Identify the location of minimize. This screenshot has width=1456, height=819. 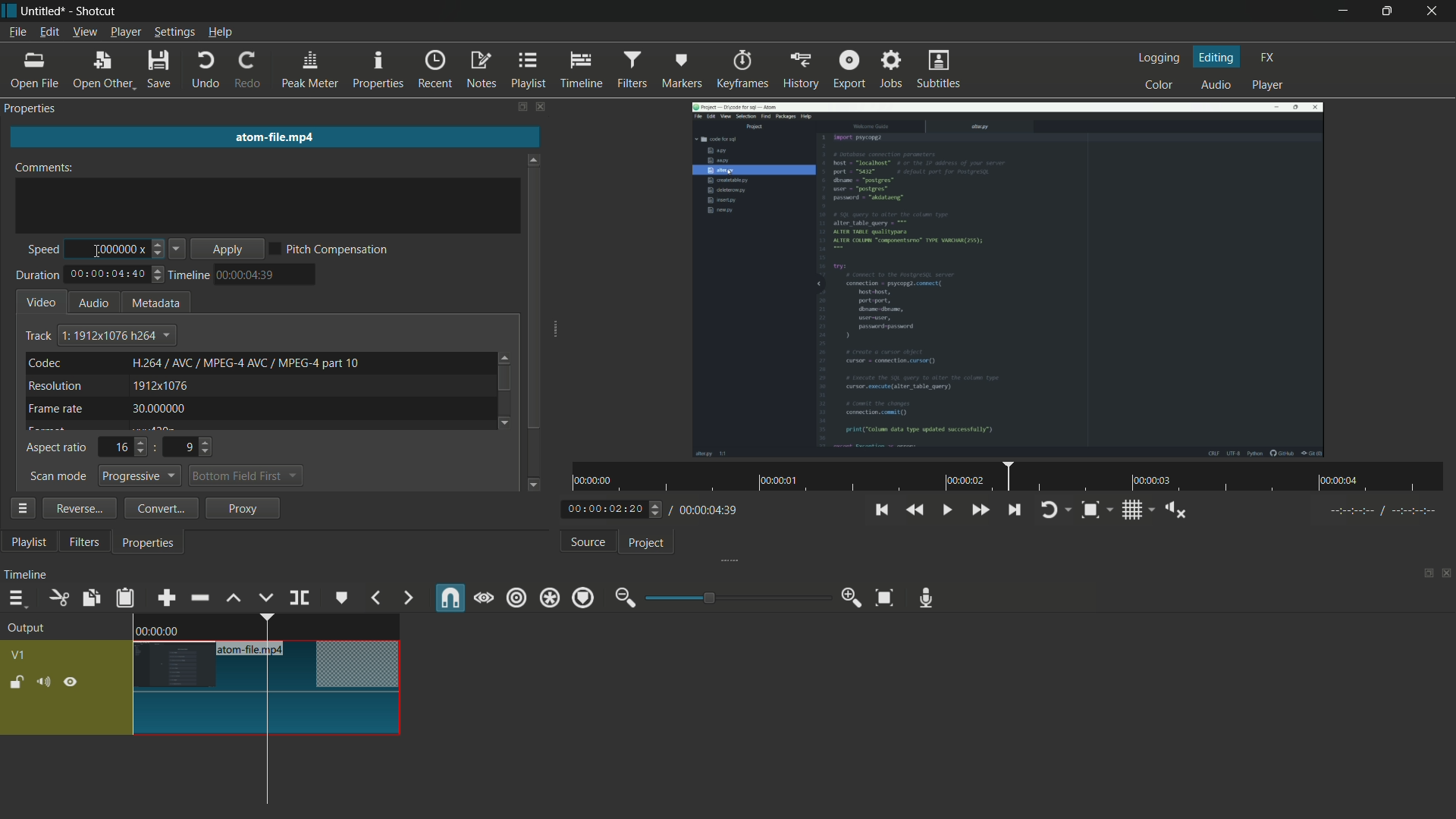
(1345, 11).